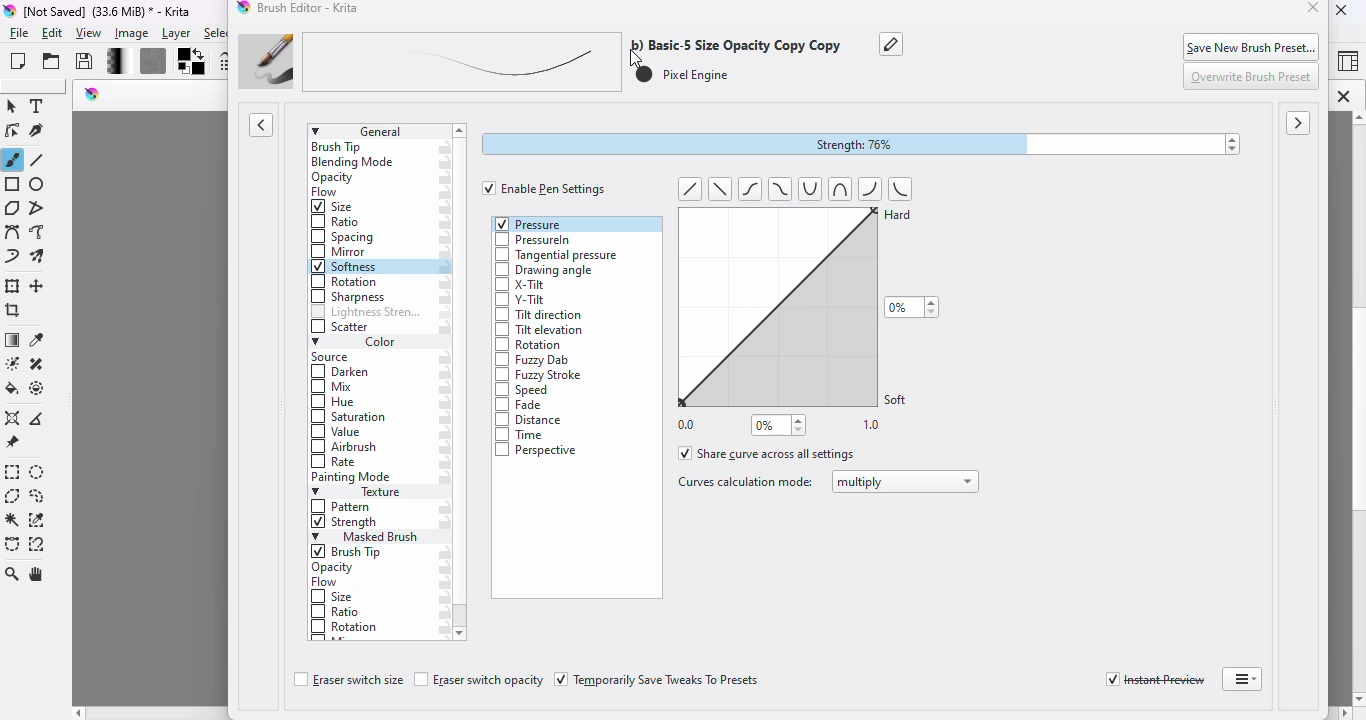 The width and height of the screenshot is (1366, 720). I want to click on masked brush, so click(365, 537).